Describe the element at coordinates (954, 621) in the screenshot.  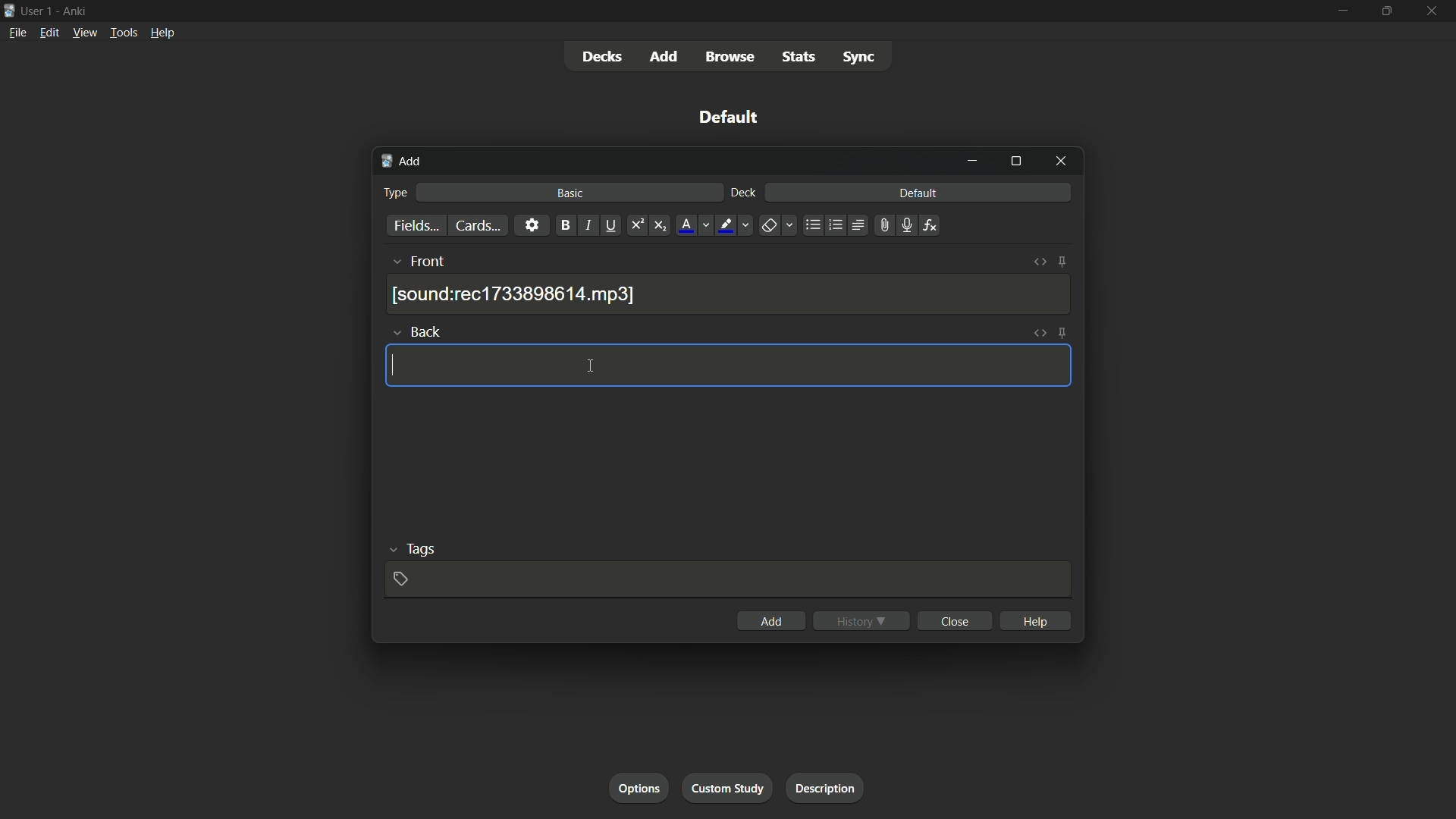
I see `close` at that location.